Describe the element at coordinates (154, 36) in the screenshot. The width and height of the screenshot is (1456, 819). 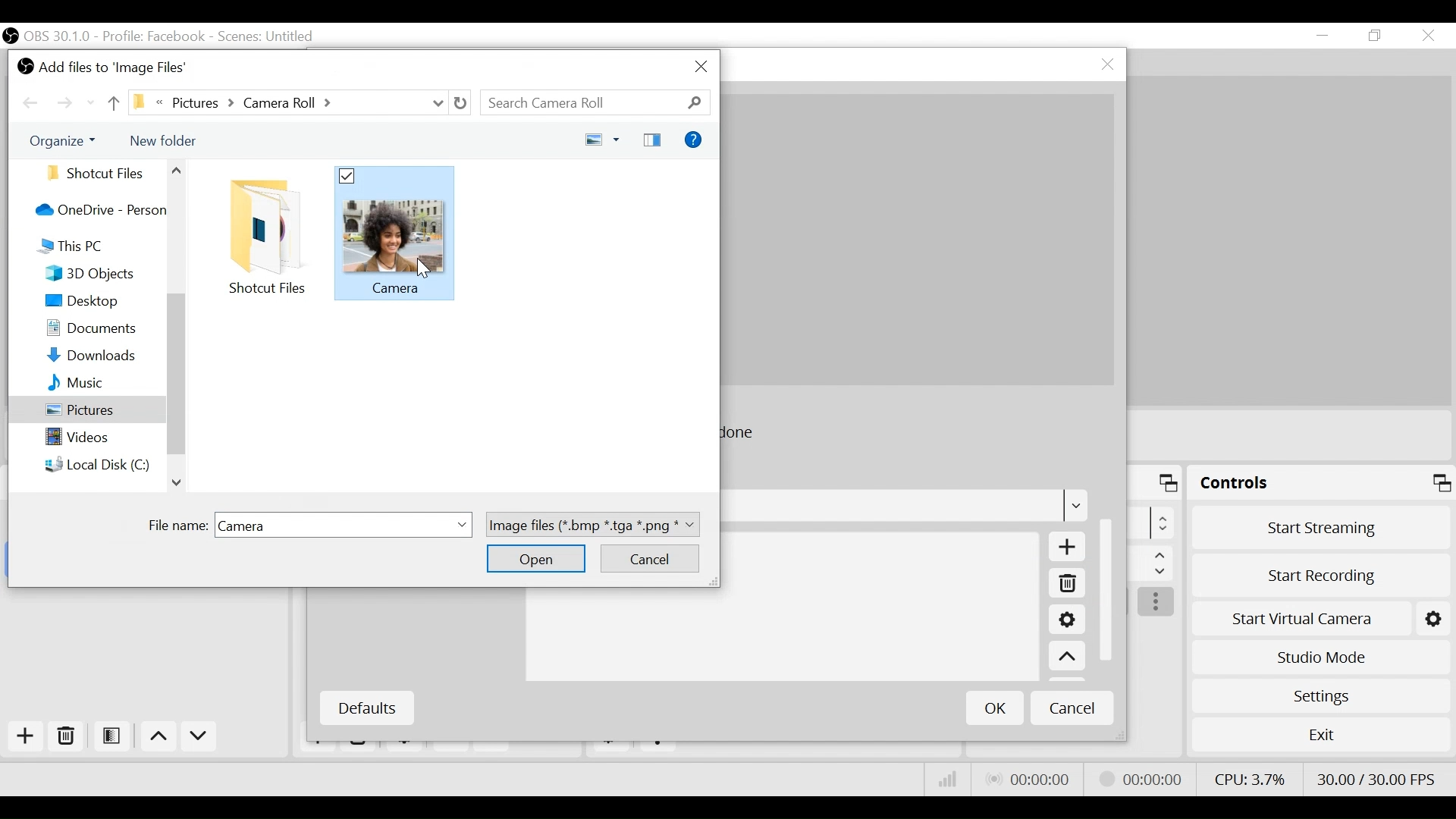
I see `Profile` at that location.